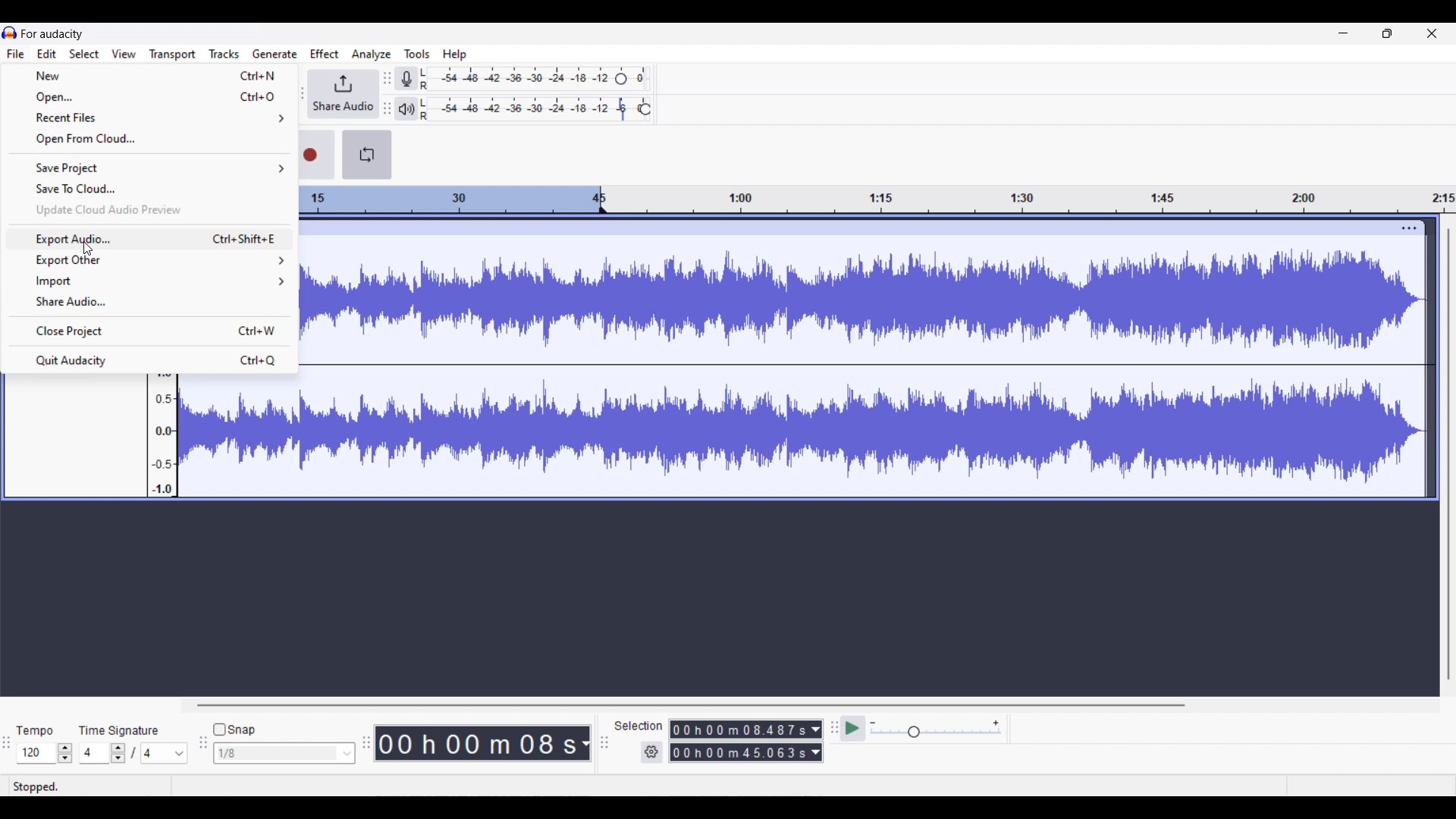 The height and width of the screenshot is (819, 1456). Describe the element at coordinates (89, 248) in the screenshot. I see `Cursor` at that location.